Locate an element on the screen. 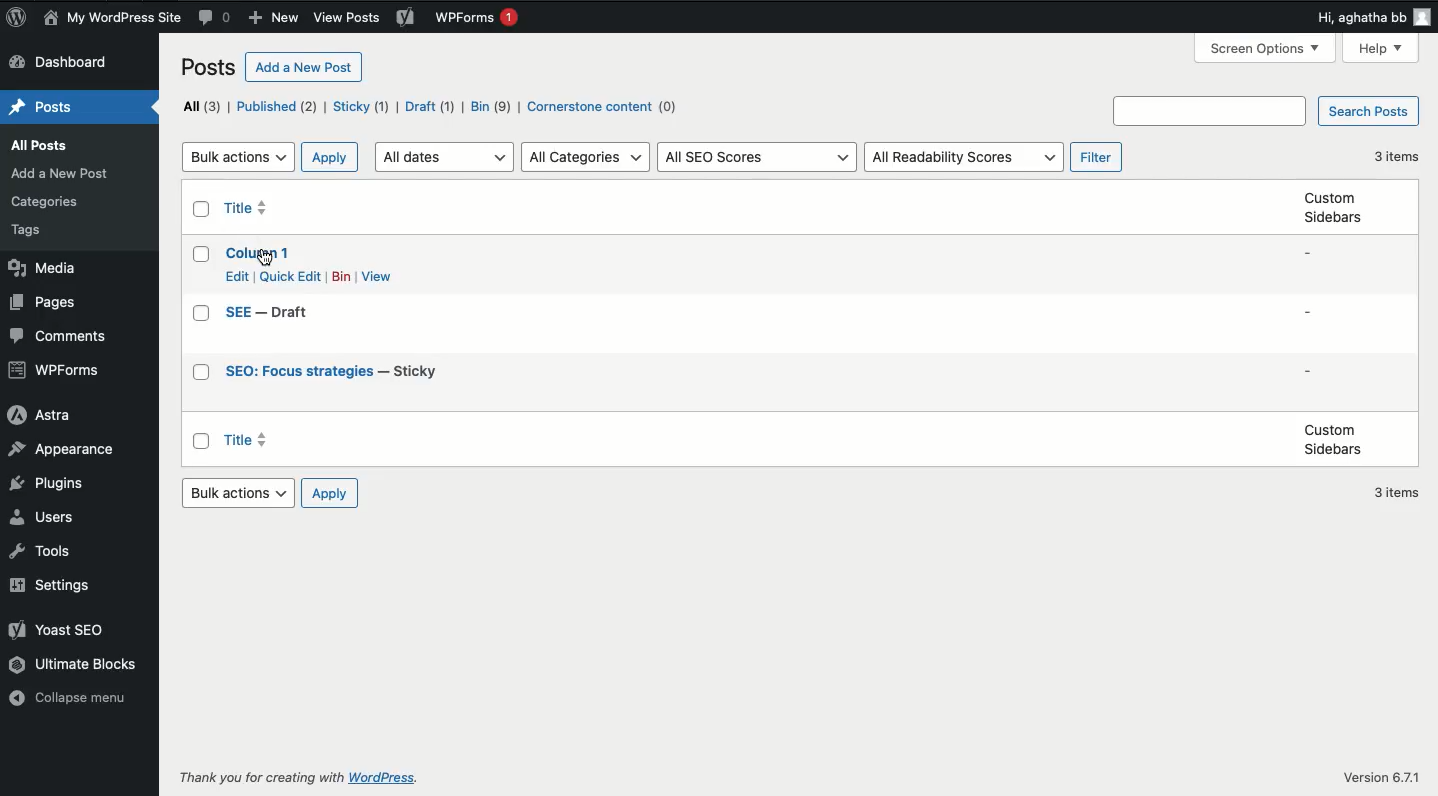 This screenshot has height=796, width=1438. View posts is located at coordinates (346, 17).